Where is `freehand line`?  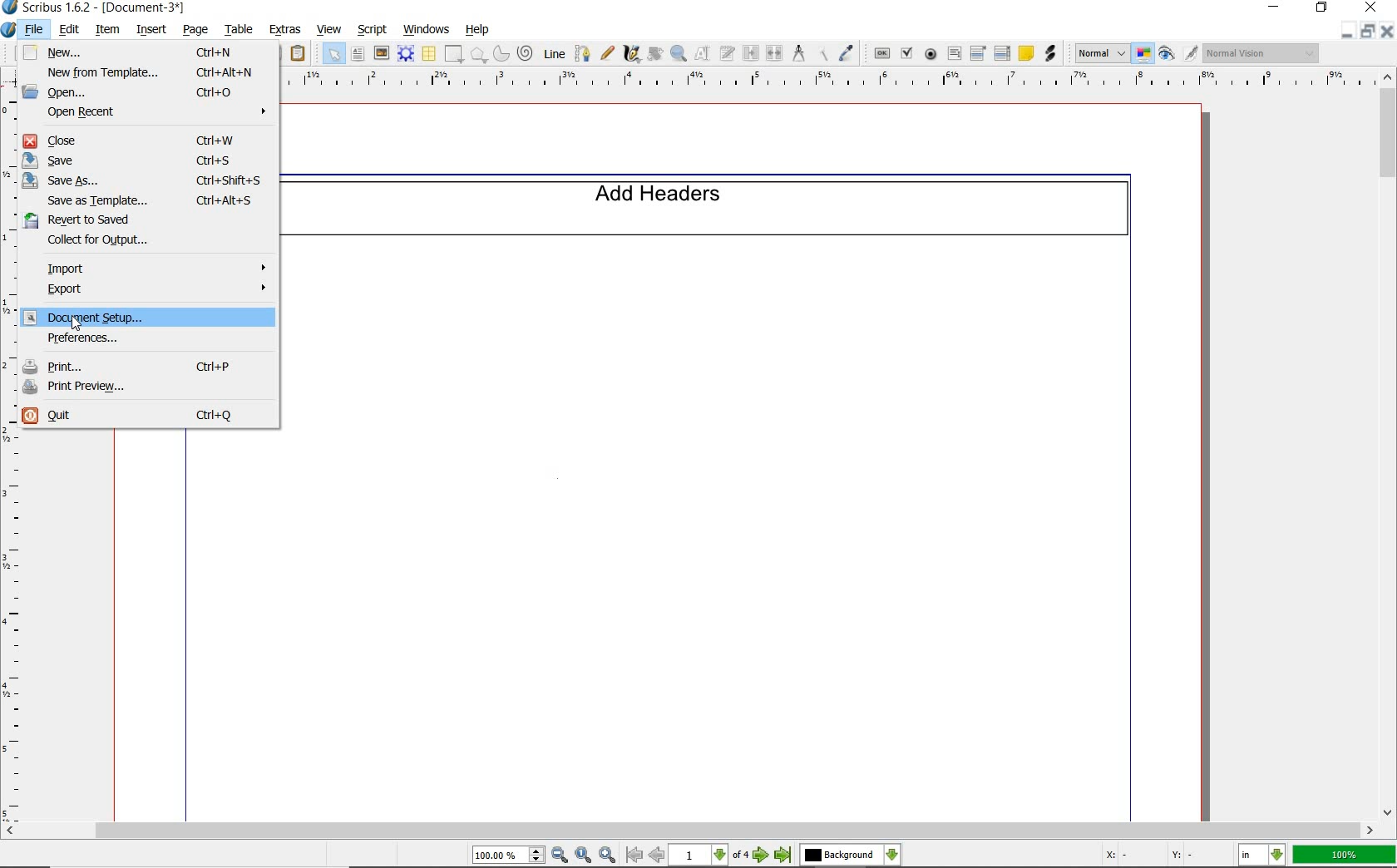 freehand line is located at coordinates (608, 54).